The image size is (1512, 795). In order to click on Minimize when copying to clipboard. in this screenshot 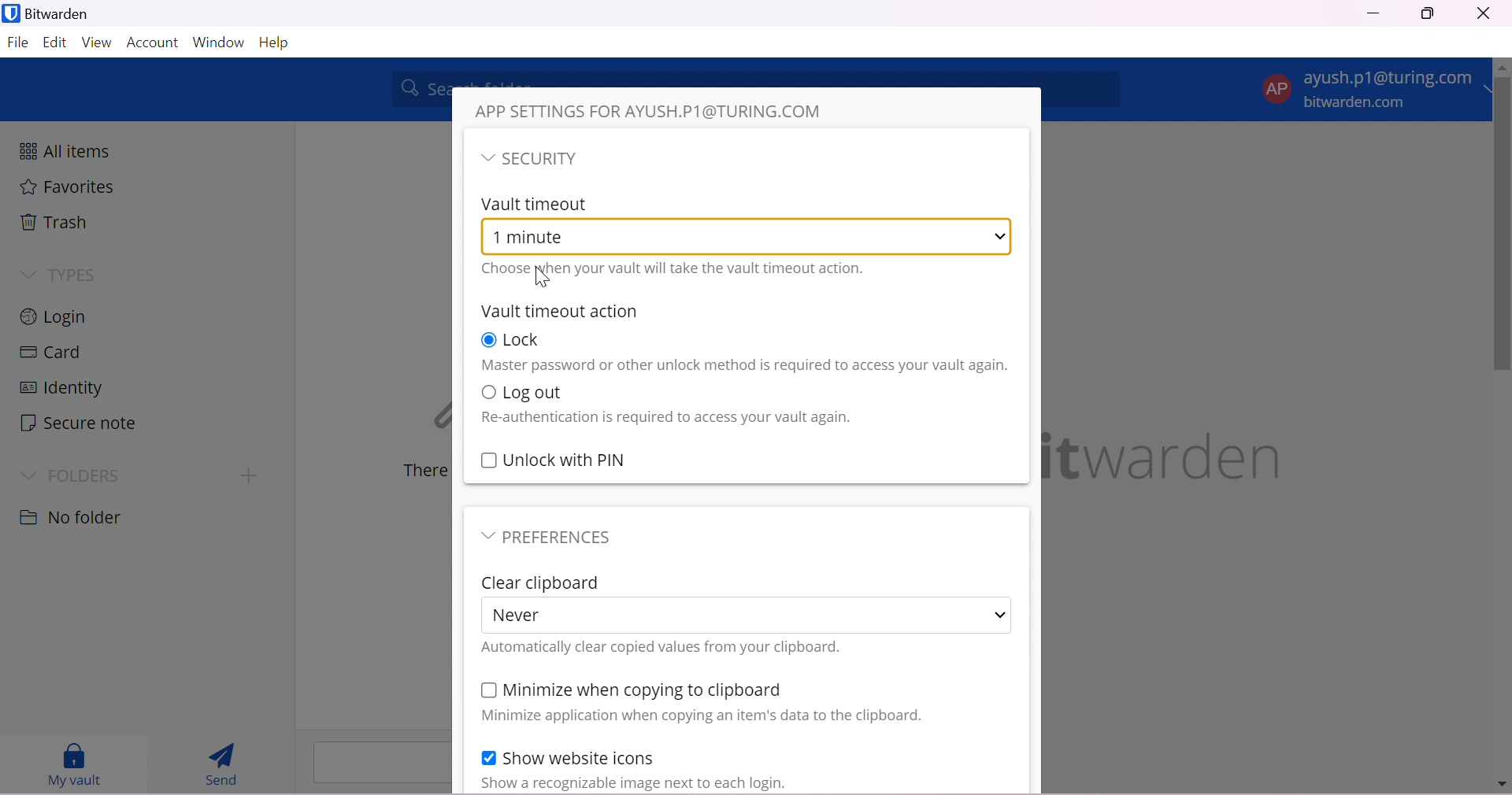, I will do `click(643, 690)`.